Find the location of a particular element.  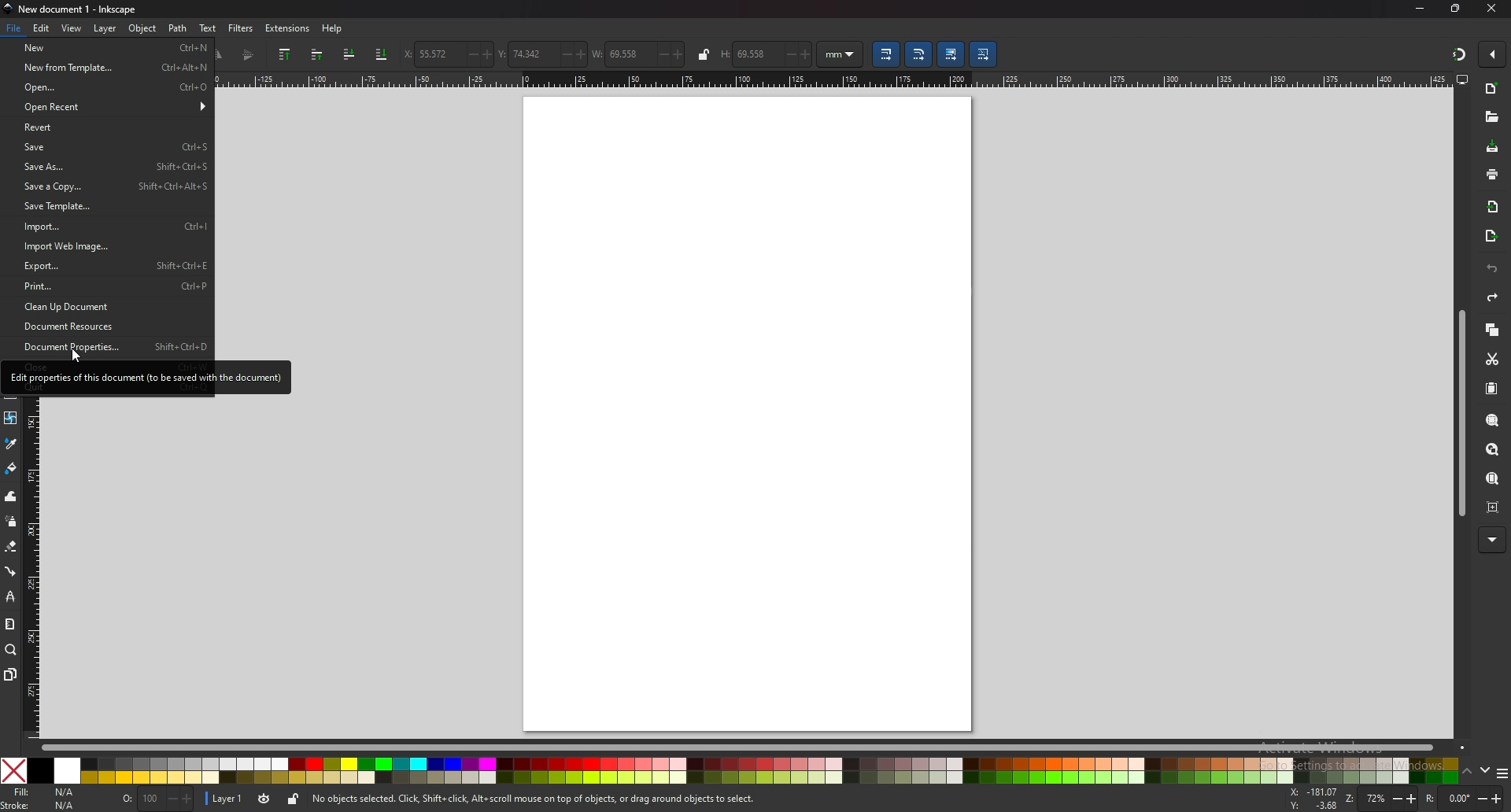

Edit properties of this document (to be saved with the document) is located at coordinates (144, 378).